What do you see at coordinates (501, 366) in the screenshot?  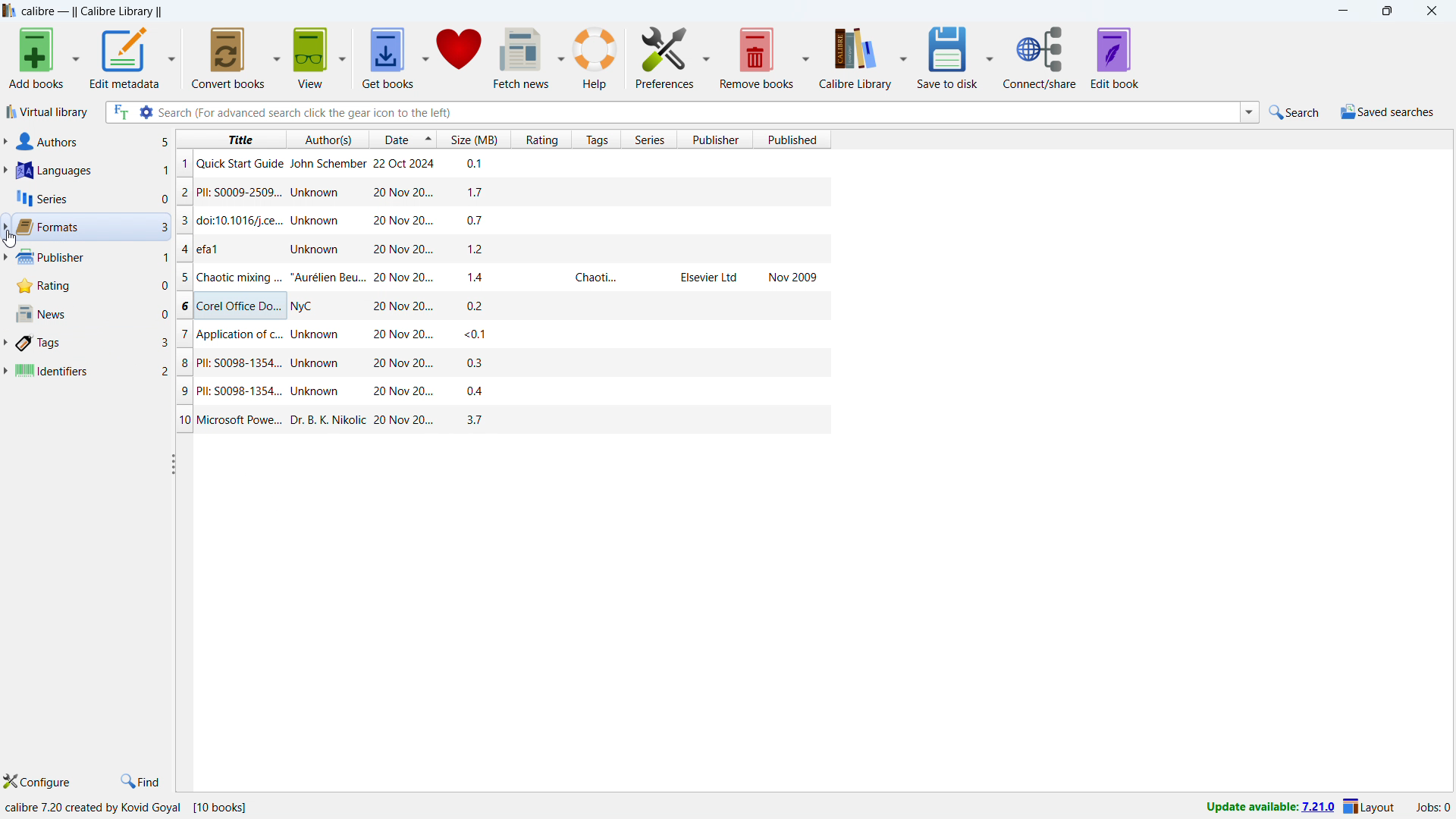 I see `one book entry` at bounding box center [501, 366].